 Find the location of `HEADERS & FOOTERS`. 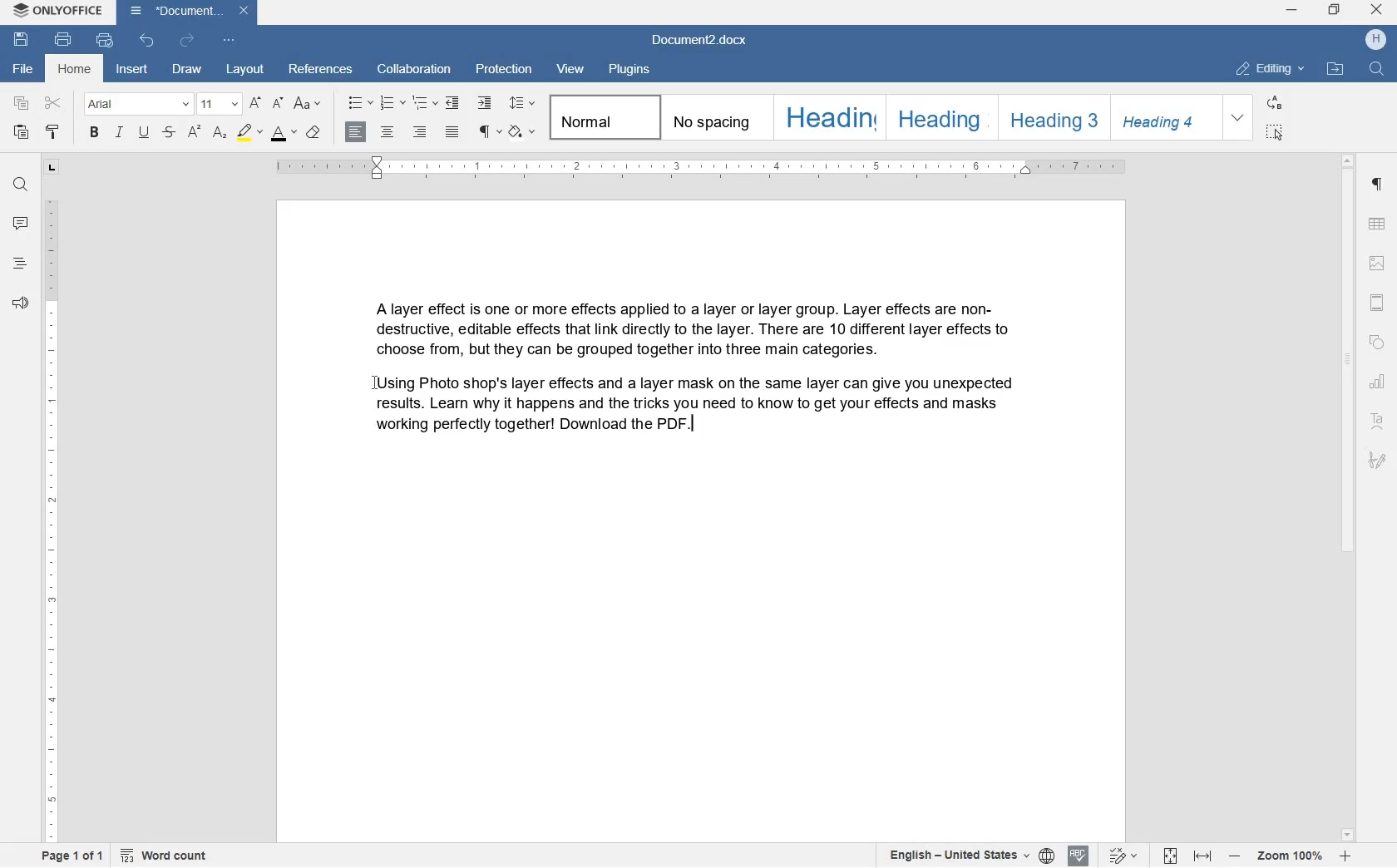

HEADERS & FOOTERS is located at coordinates (1377, 262).